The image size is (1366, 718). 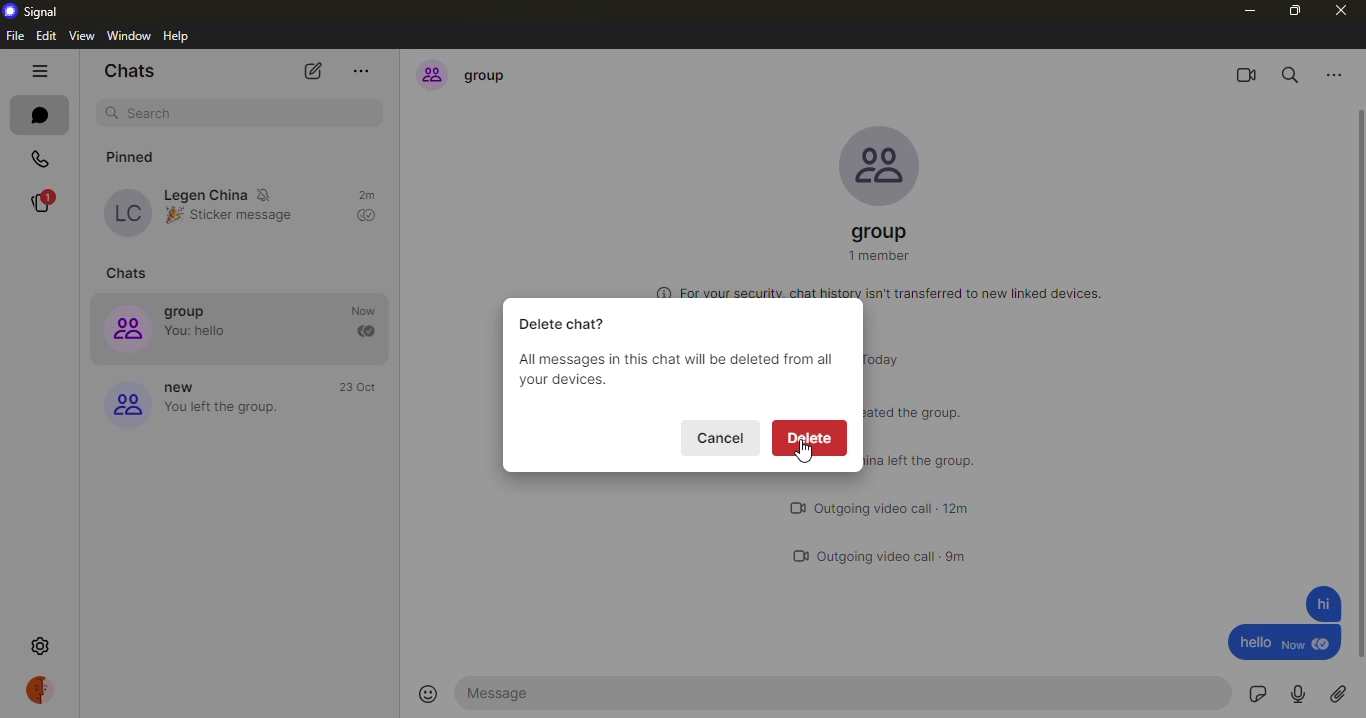 What do you see at coordinates (880, 258) in the screenshot?
I see `1 member` at bounding box center [880, 258].